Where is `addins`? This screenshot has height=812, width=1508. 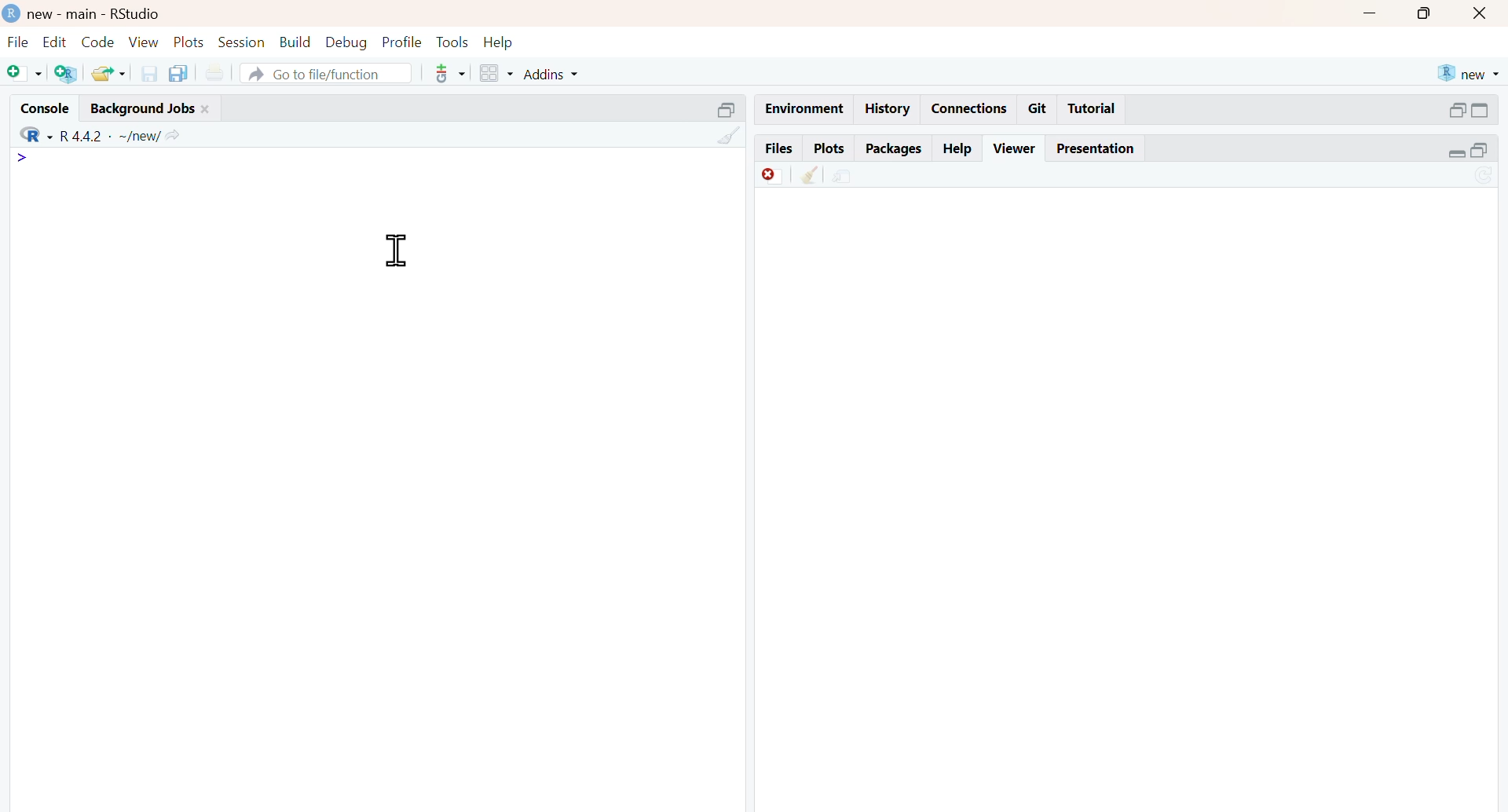
addins is located at coordinates (553, 75).